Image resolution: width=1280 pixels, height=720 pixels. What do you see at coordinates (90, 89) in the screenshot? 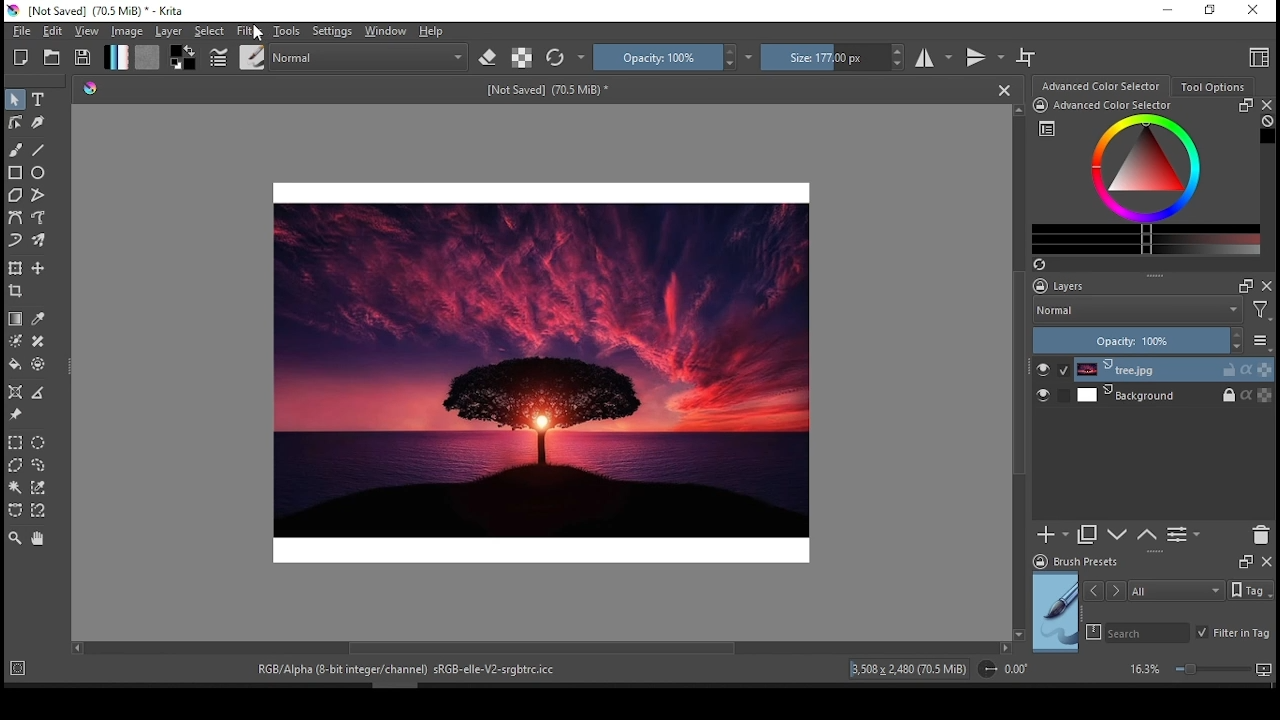
I see `Picker` at bounding box center [90, 89].